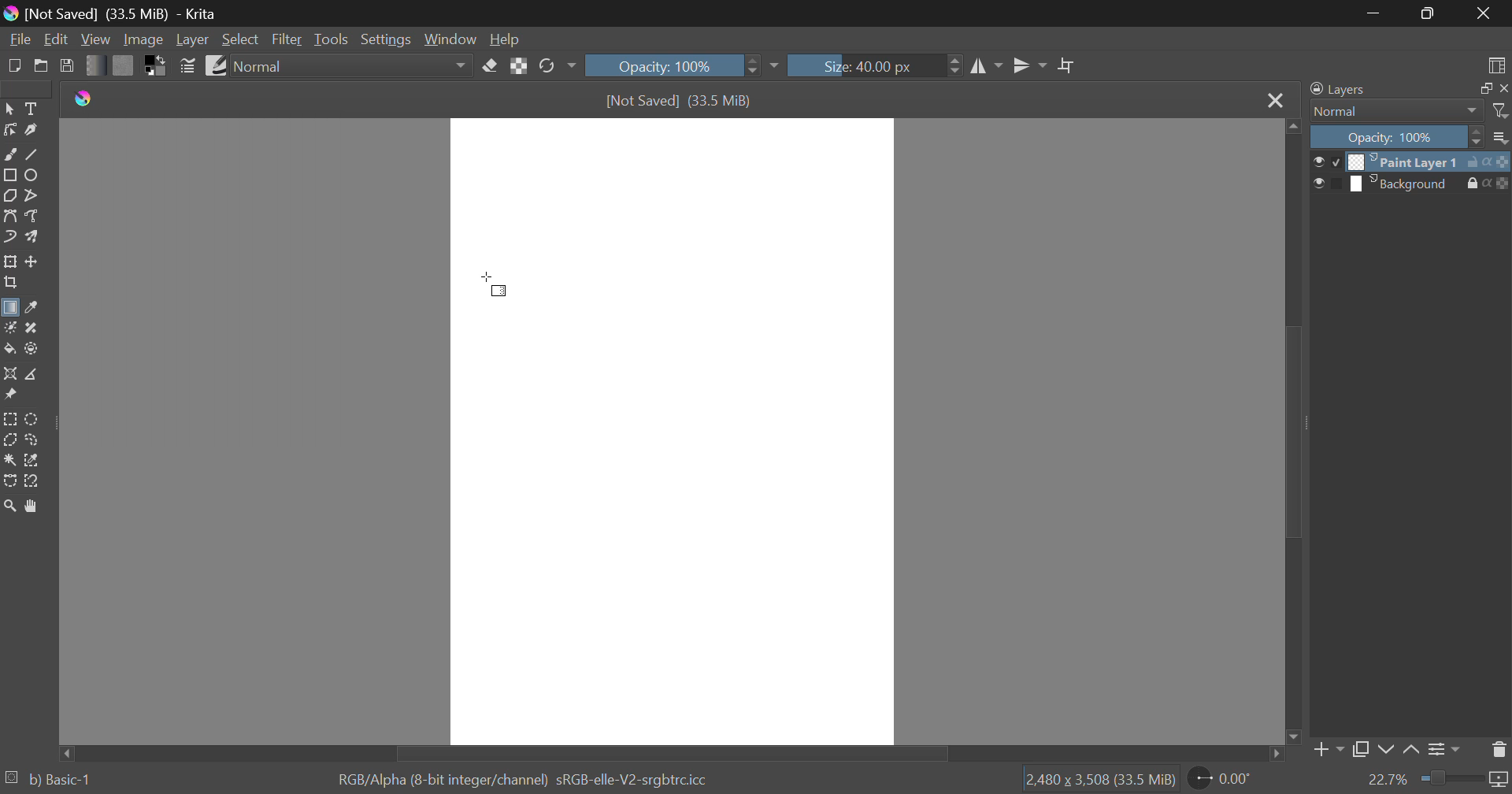 The image size is (1512, 794). I want to click on Scroll Bar, so click(1291, 433).